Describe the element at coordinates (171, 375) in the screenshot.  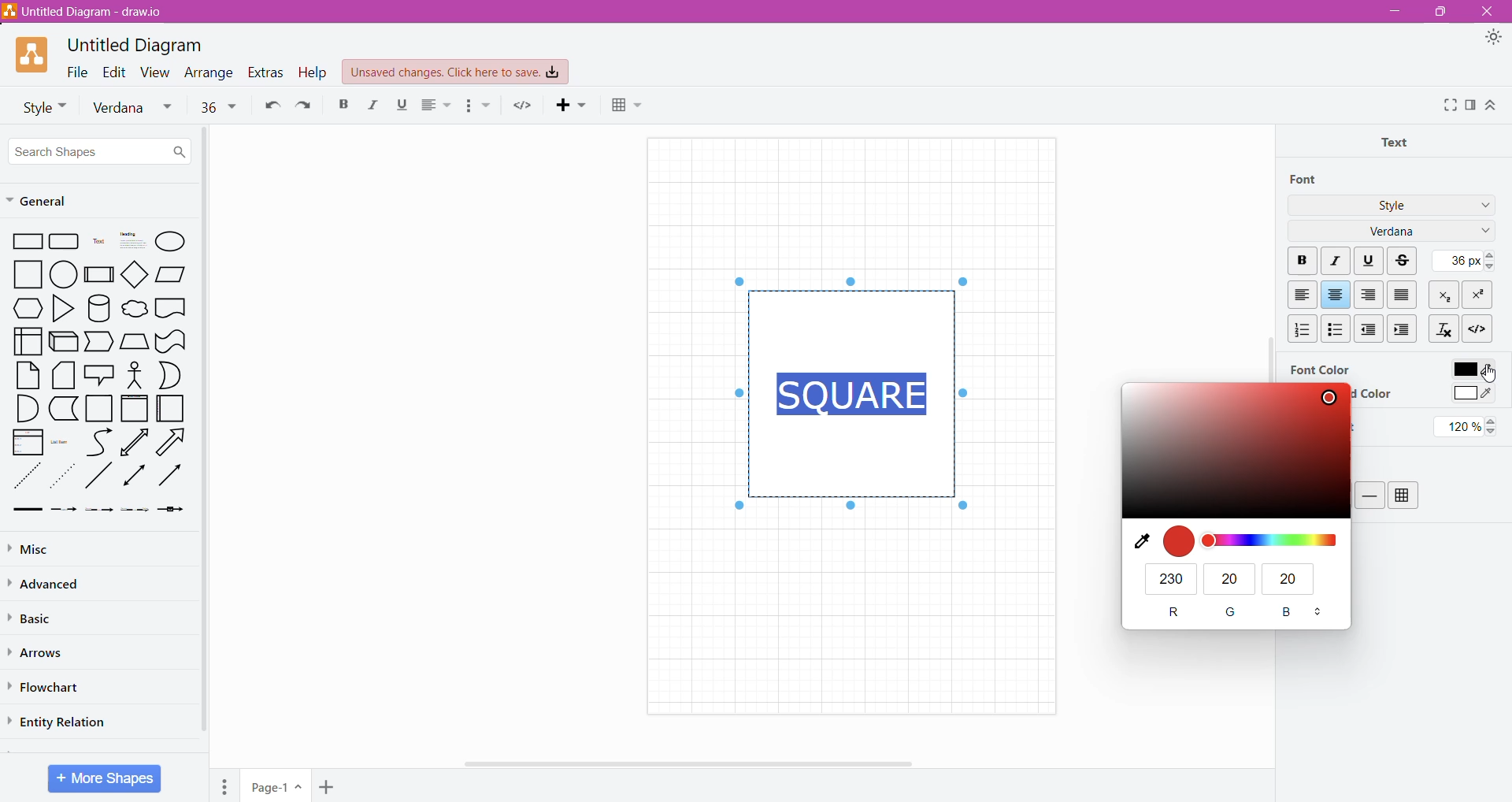
I see `Half Circle ` at that location.